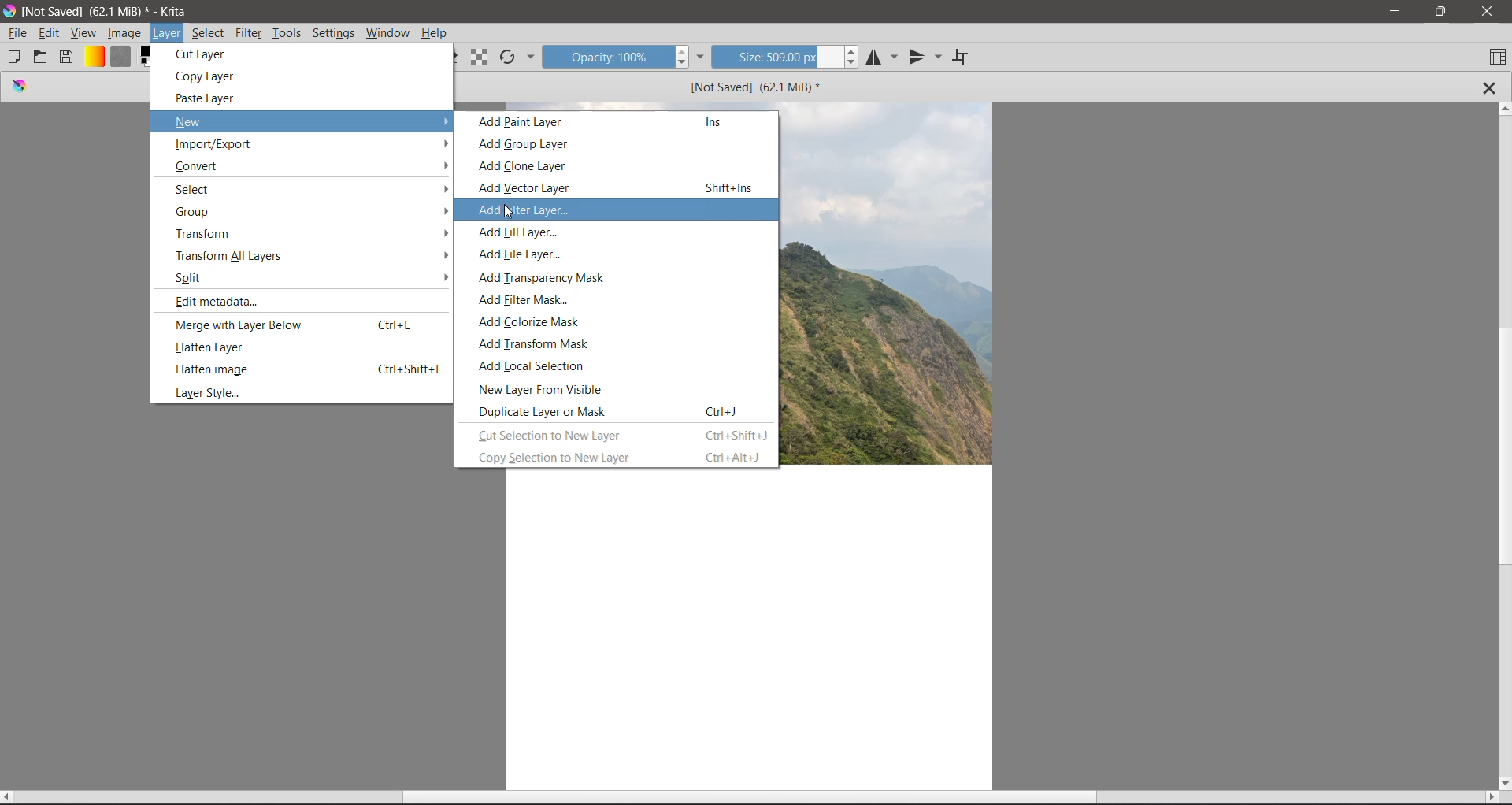 The width and height of the screenshot is (1512, 805). I want to click on Opacity, so click(606, 58).